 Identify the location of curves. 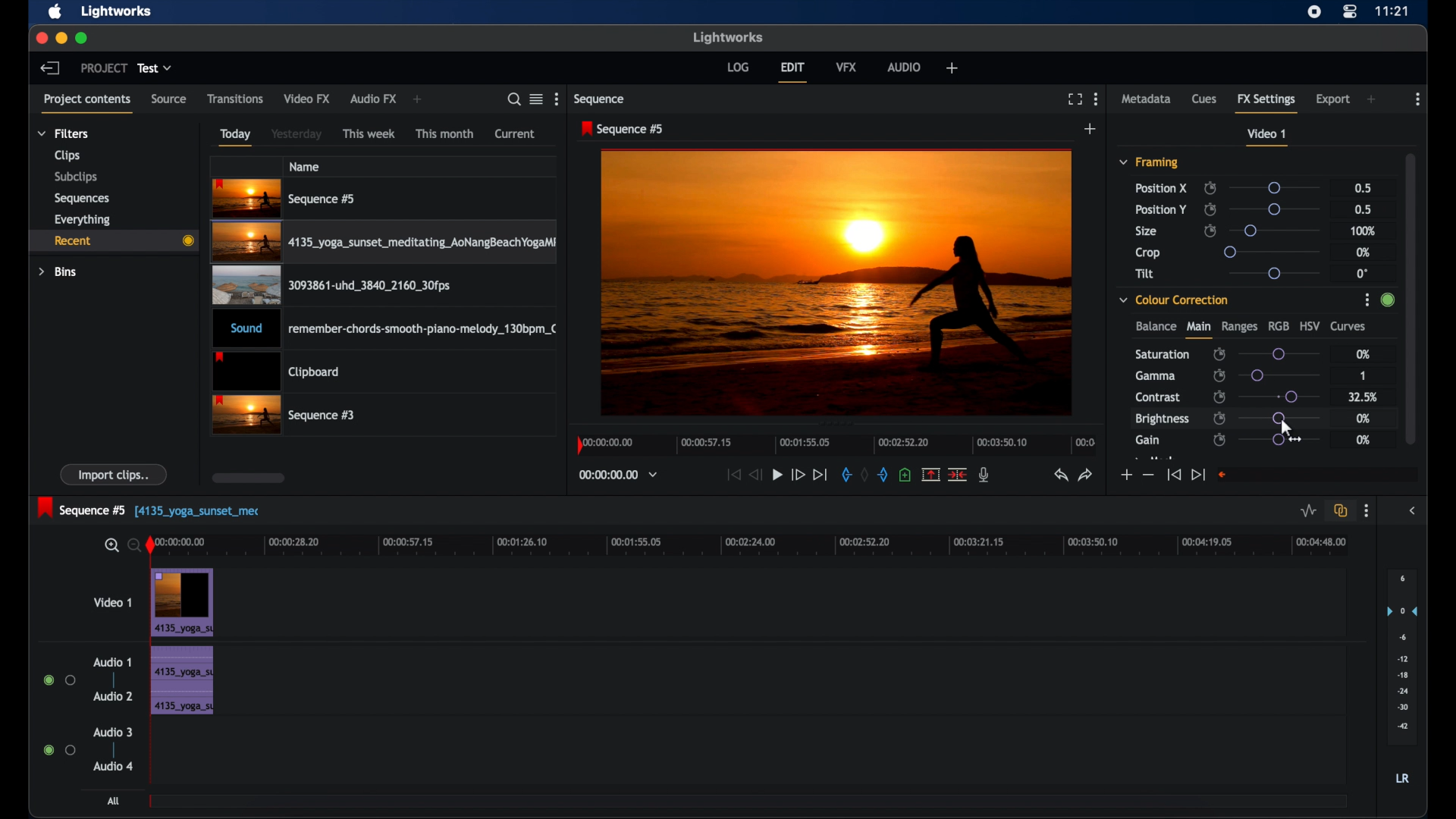
(1348, 327).